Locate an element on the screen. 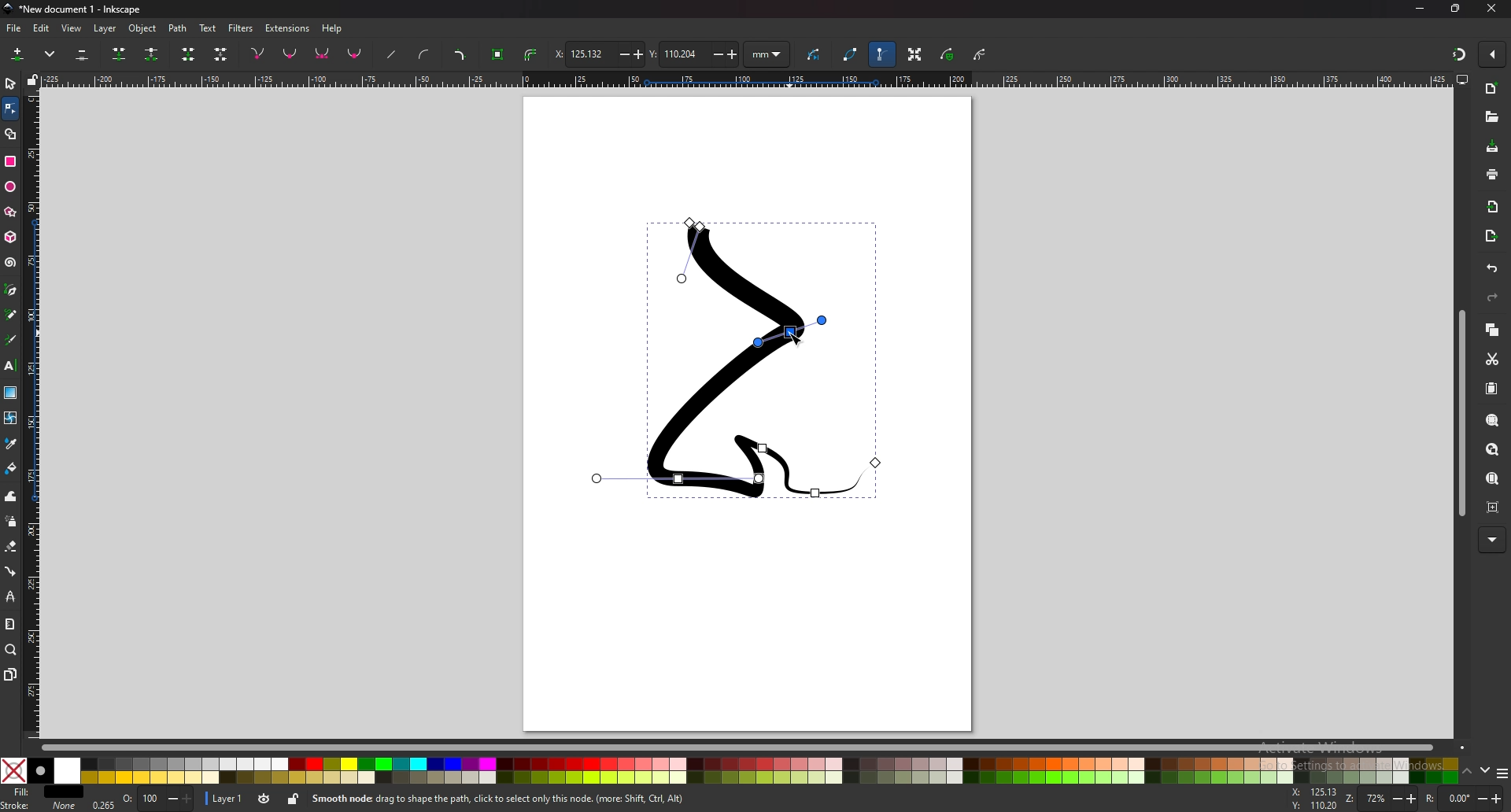  calligraphy is located at coordinates (11, 341).